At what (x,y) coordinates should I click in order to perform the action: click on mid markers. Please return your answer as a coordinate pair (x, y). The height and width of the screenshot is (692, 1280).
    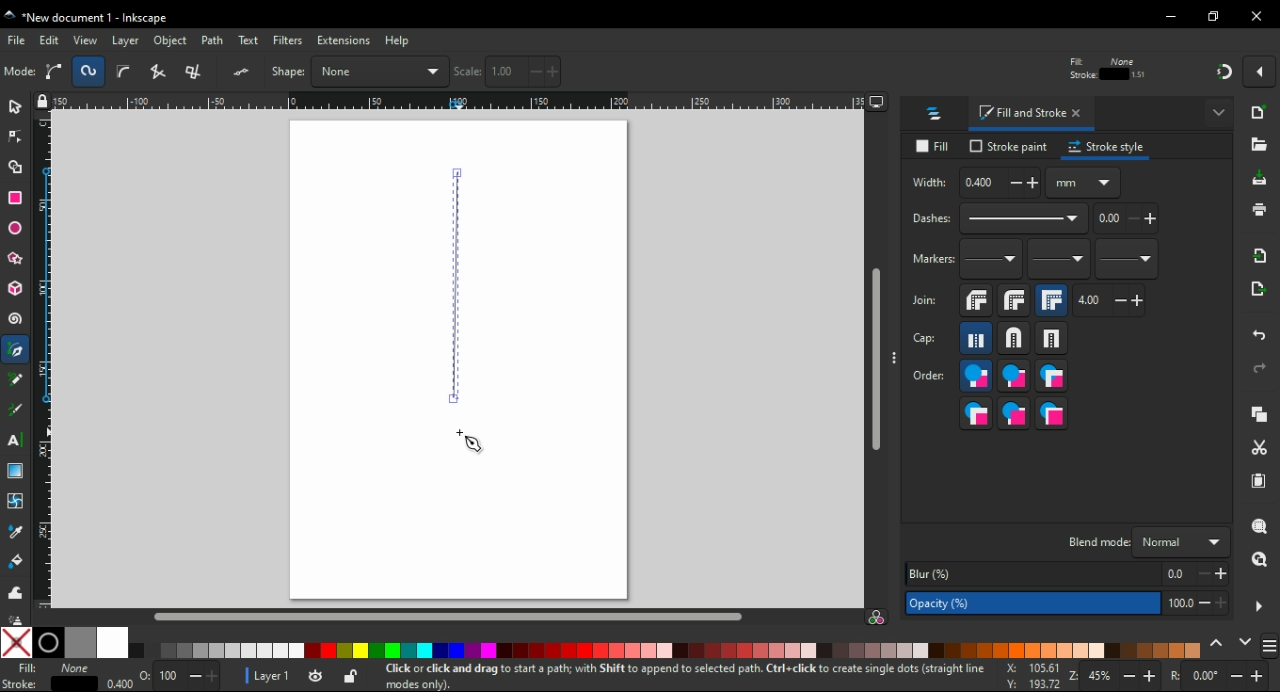
    Looking at the image, I should click on (1058, 260).